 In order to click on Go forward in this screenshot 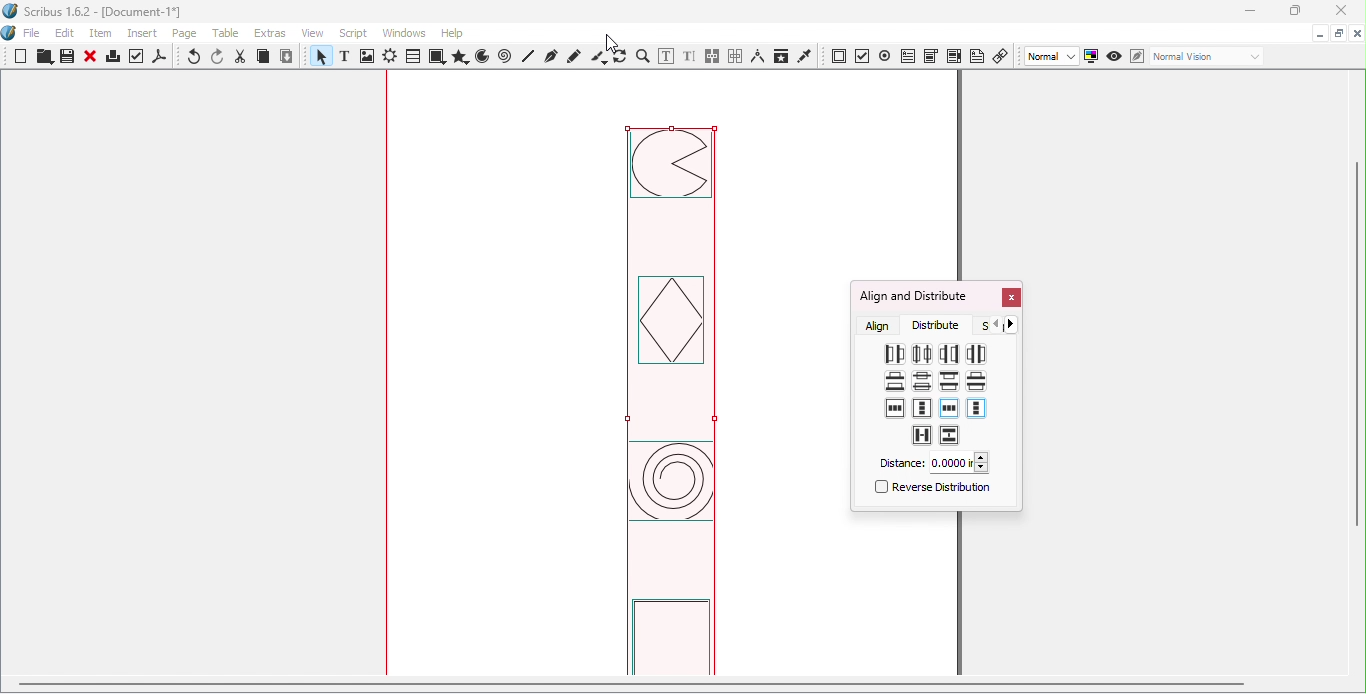, I will do `click(1015, 324)`.